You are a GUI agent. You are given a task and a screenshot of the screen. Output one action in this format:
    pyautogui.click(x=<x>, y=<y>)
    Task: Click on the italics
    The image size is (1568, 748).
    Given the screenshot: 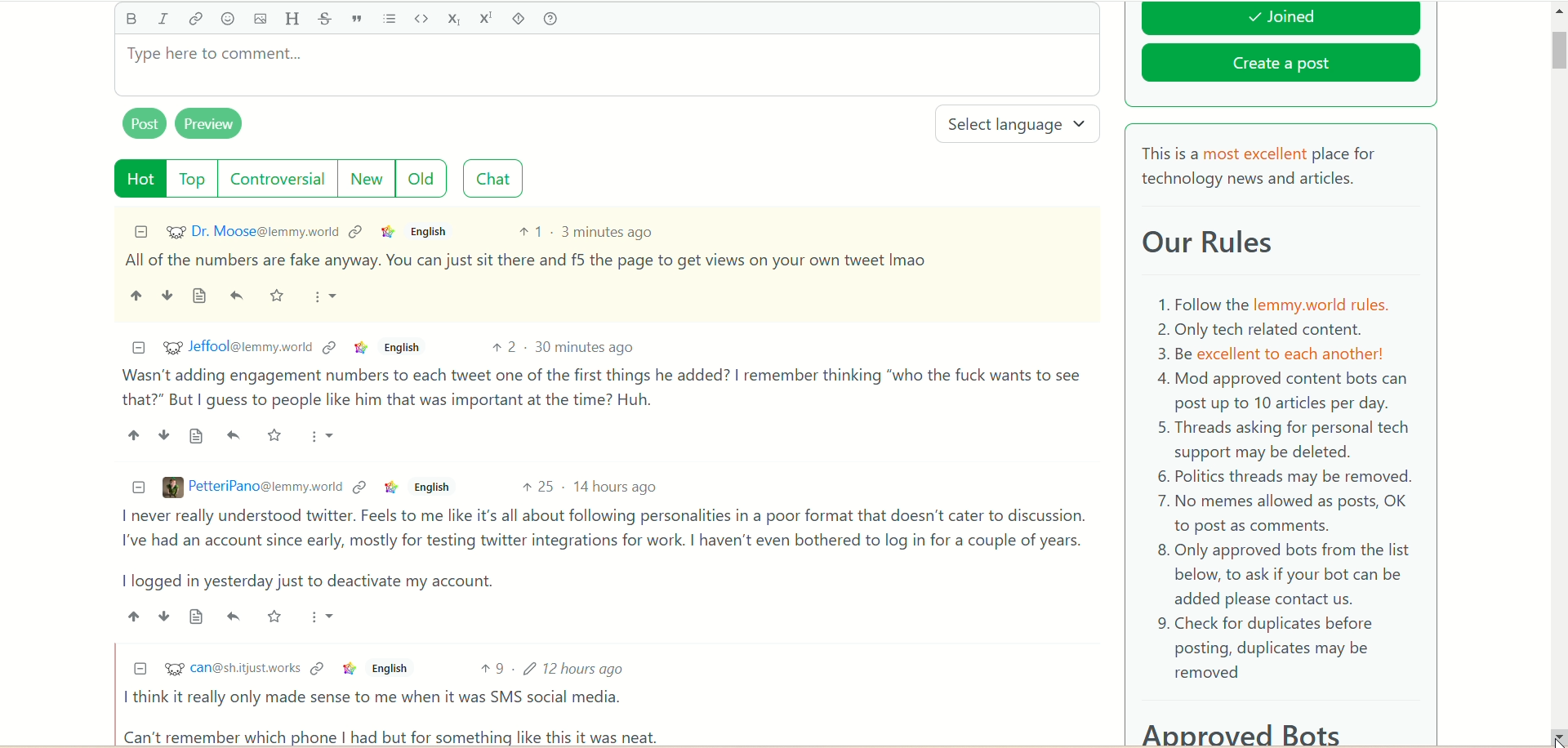 What is the action you would take?
    pyautogui.click(x=163, y=18)
    